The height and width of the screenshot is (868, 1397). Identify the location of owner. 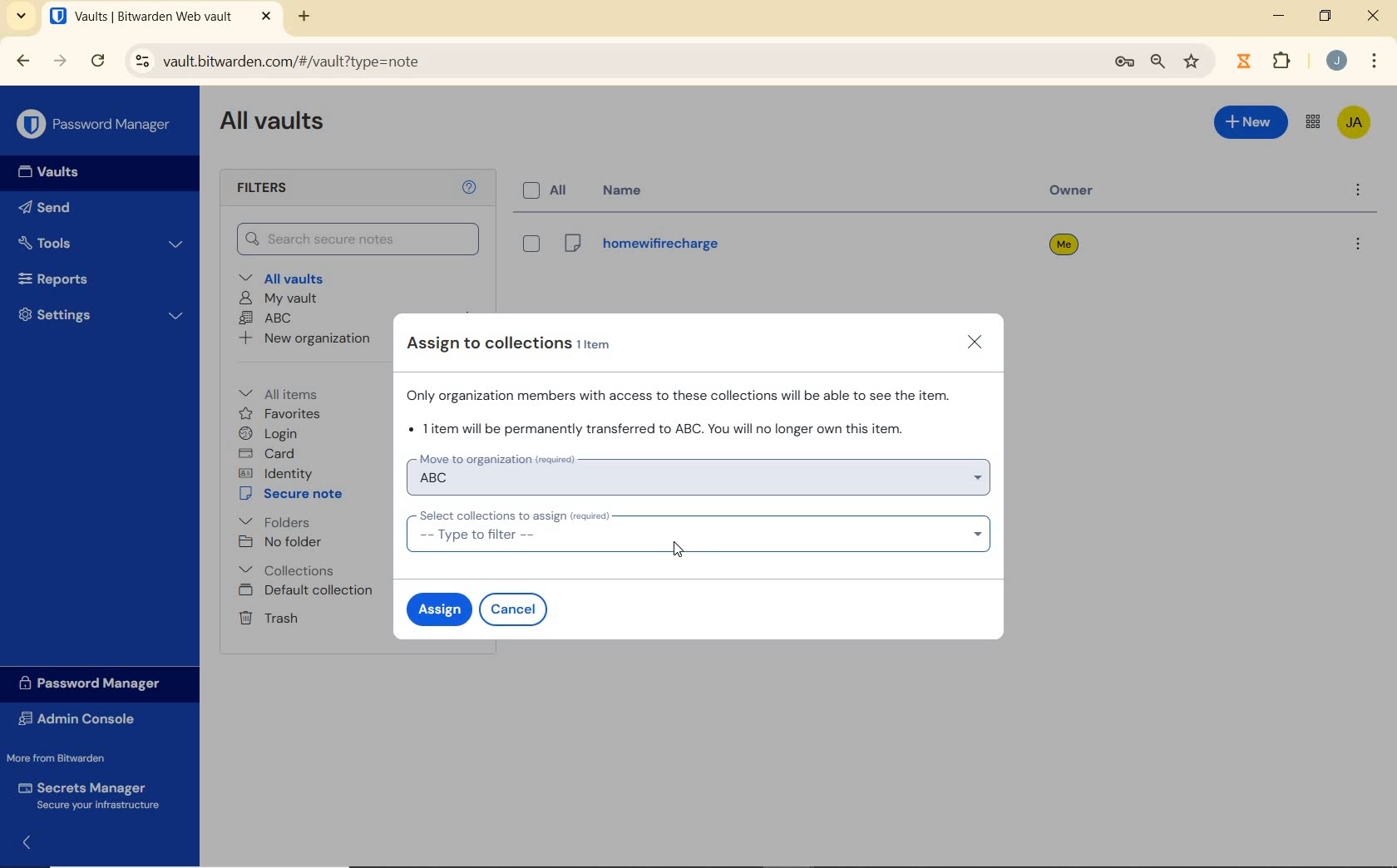
(1064, 246).